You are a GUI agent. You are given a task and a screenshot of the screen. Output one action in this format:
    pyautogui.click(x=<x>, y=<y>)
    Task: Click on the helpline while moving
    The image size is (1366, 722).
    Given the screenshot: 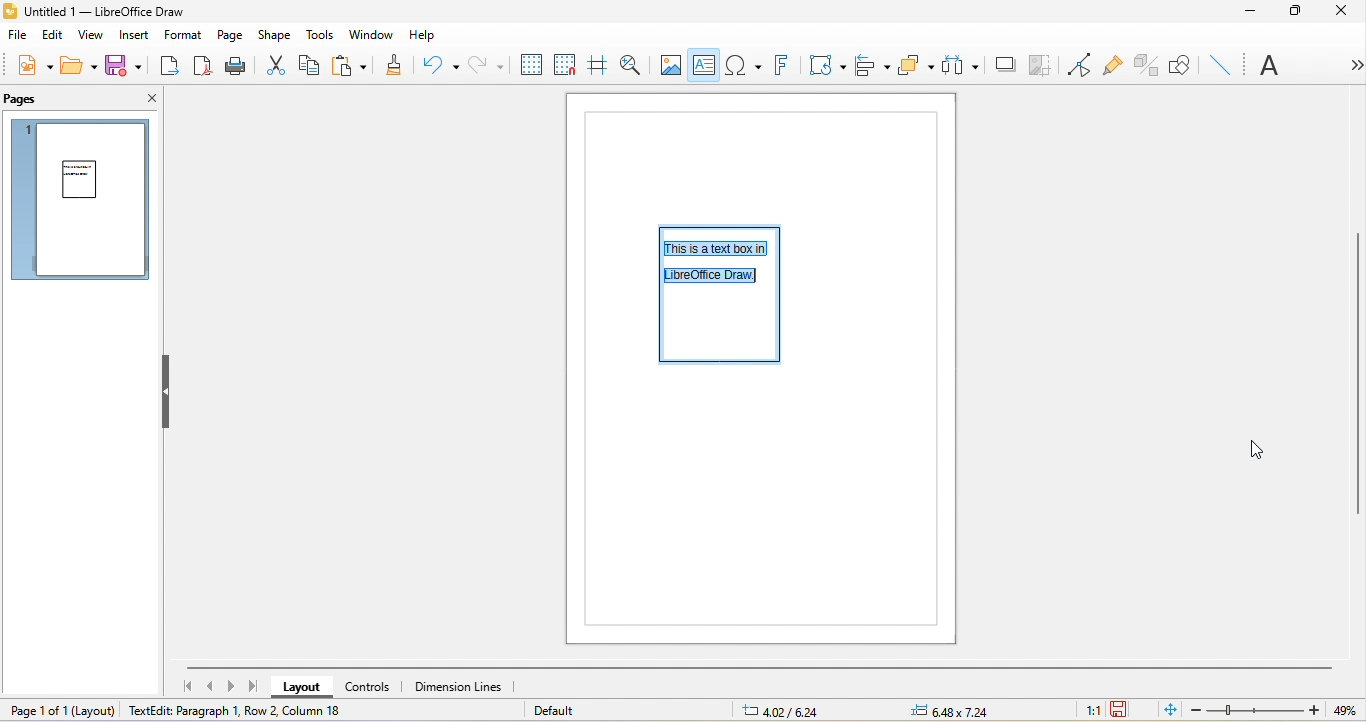 What is the action you would take?
    pyautogui.click(x=596, y=65)
    